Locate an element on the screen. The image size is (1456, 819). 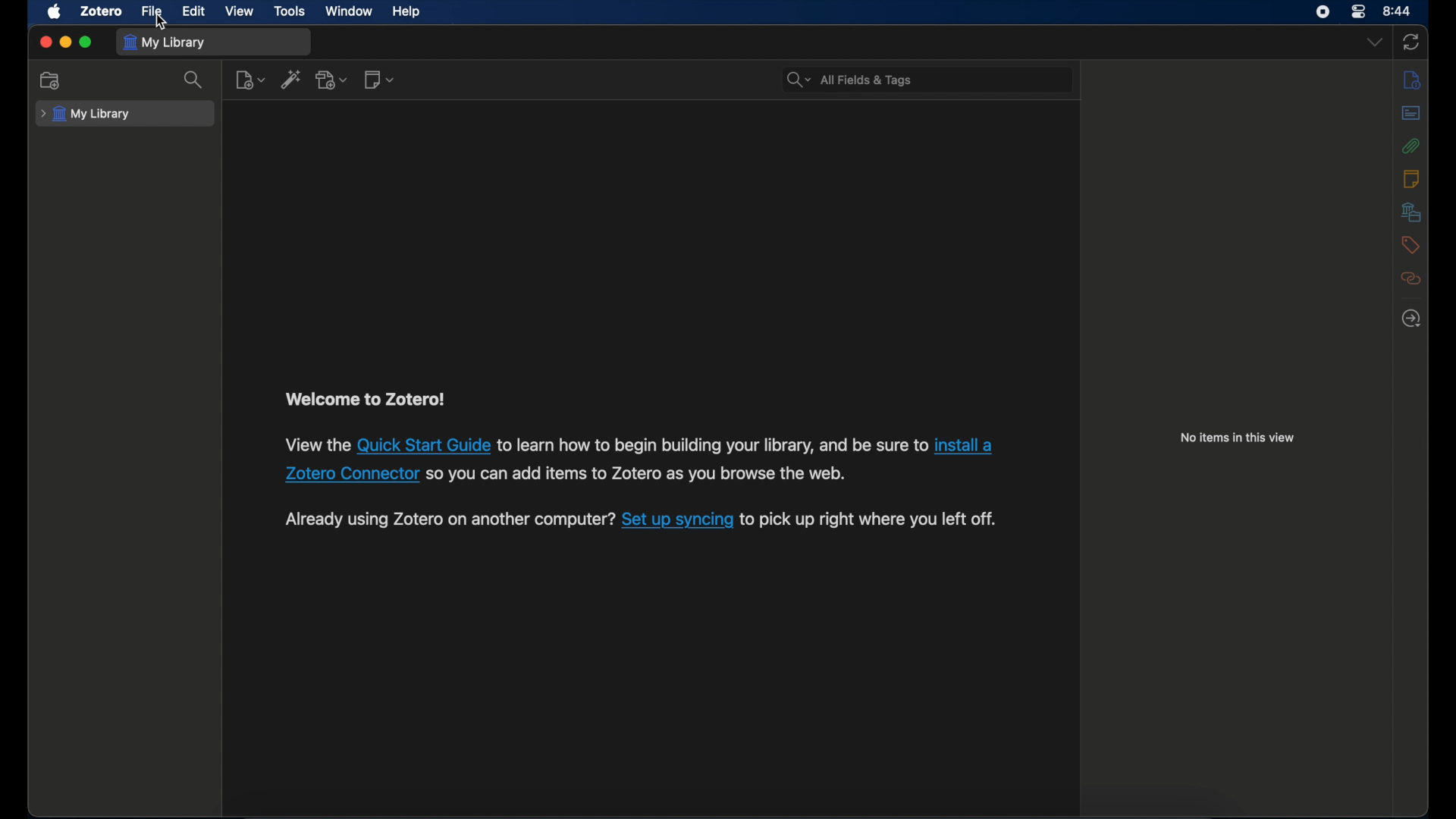
dropdown is located at coordinates (1375, 42).